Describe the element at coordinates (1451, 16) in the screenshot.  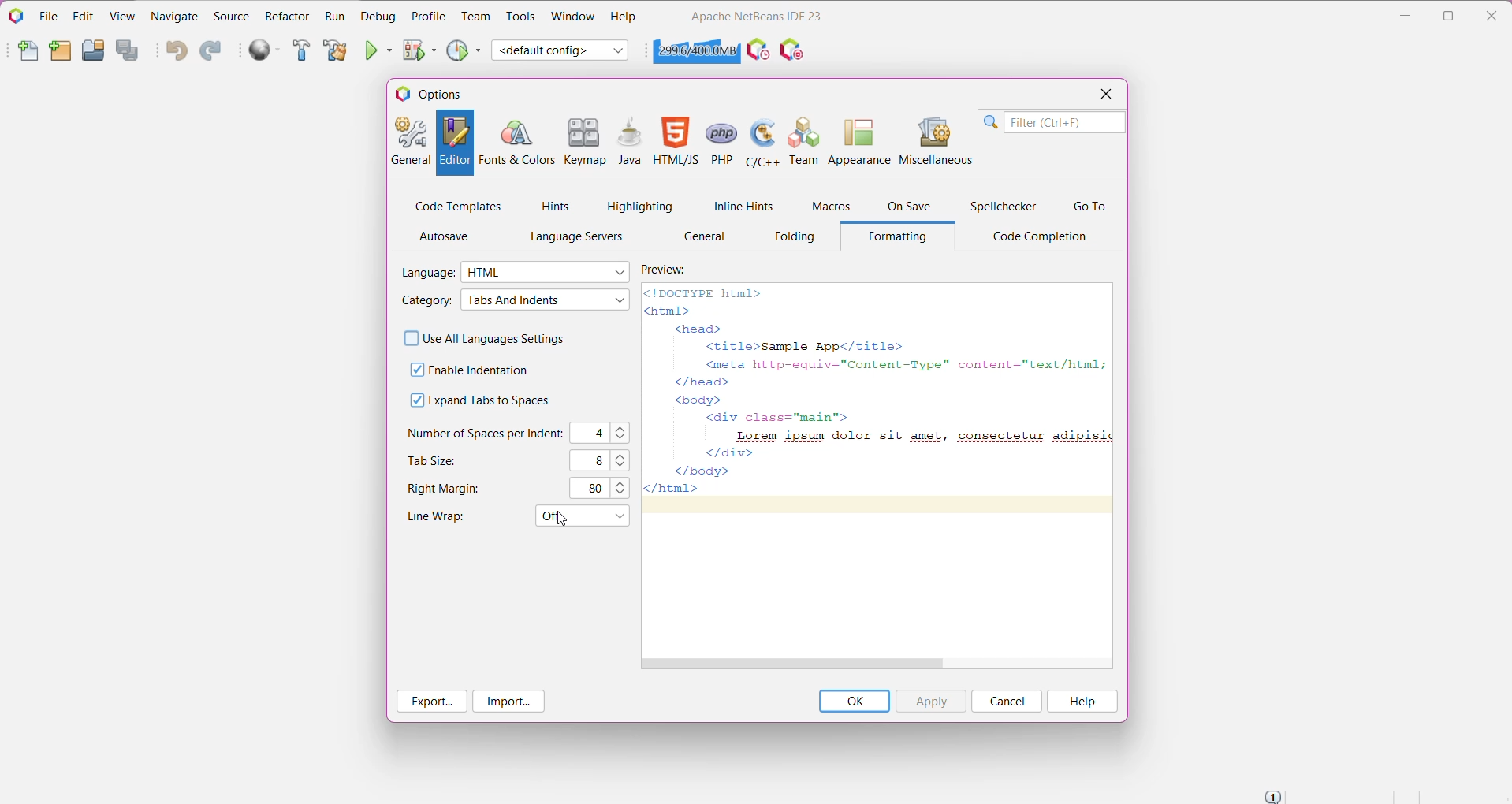
I see `Restore Down` at that location.